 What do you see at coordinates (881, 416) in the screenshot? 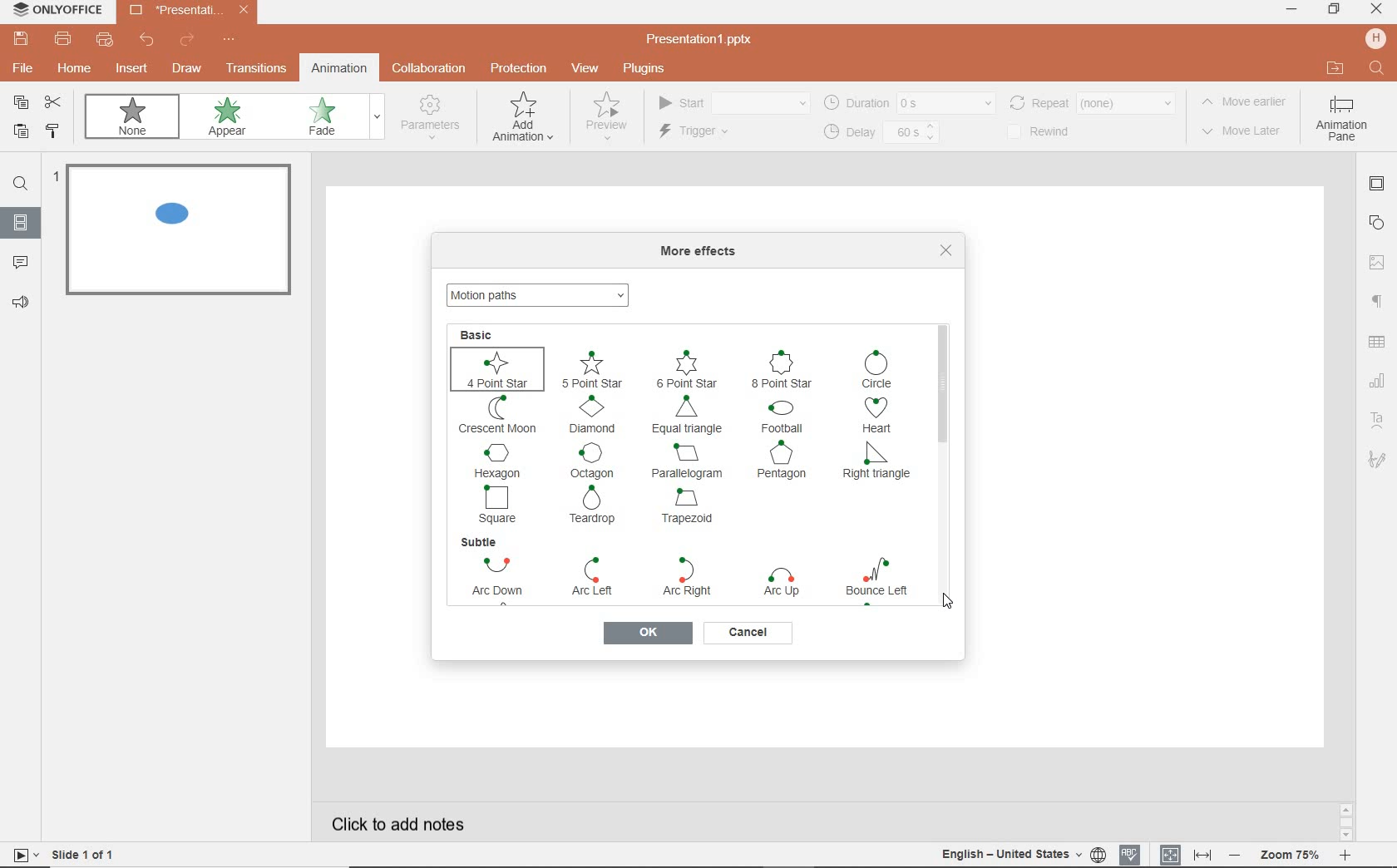
I see `HEART` at bounding box center [881, 416].